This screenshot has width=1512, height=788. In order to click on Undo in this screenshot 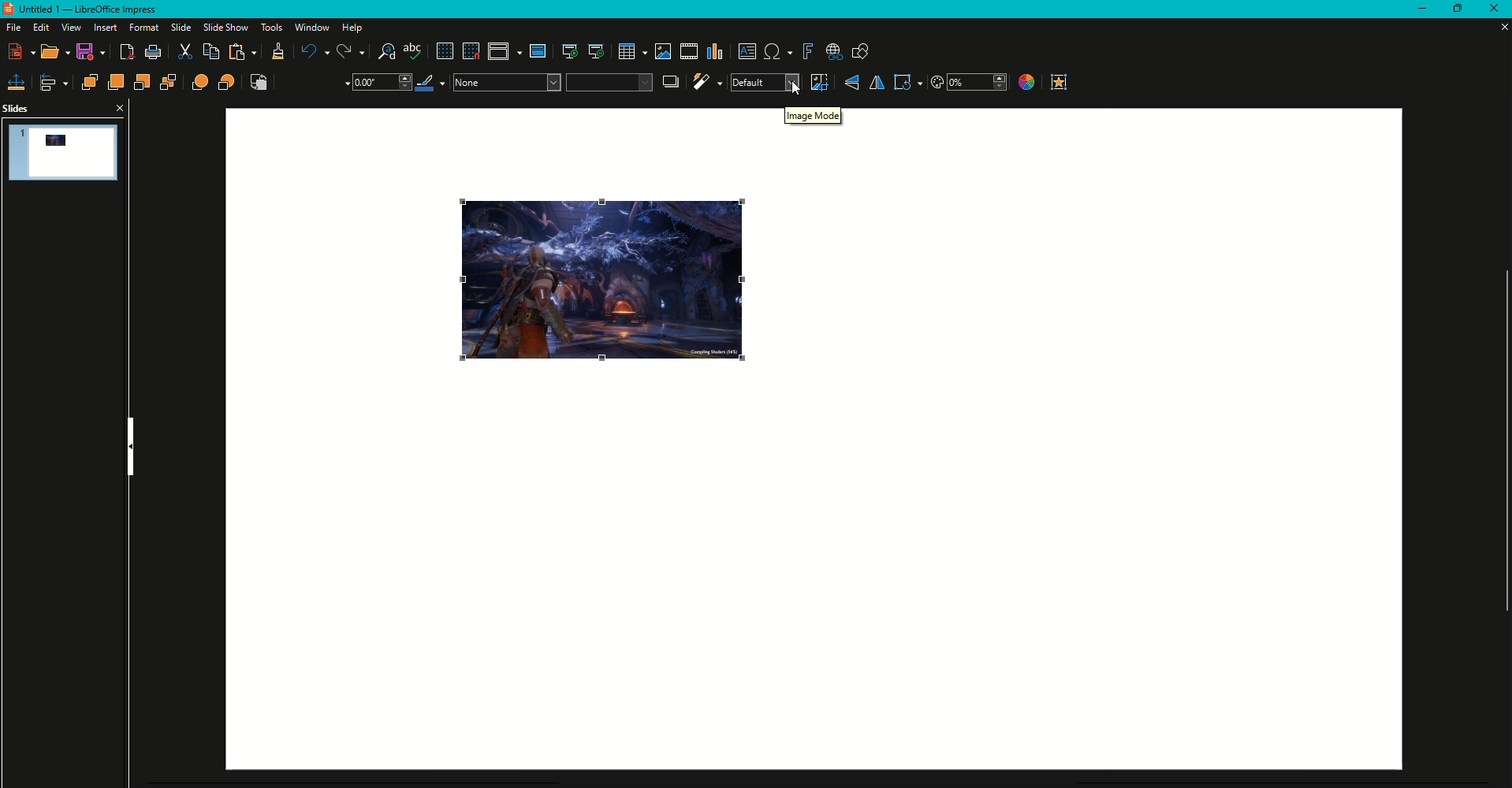, I will do `click(313, 51)`.